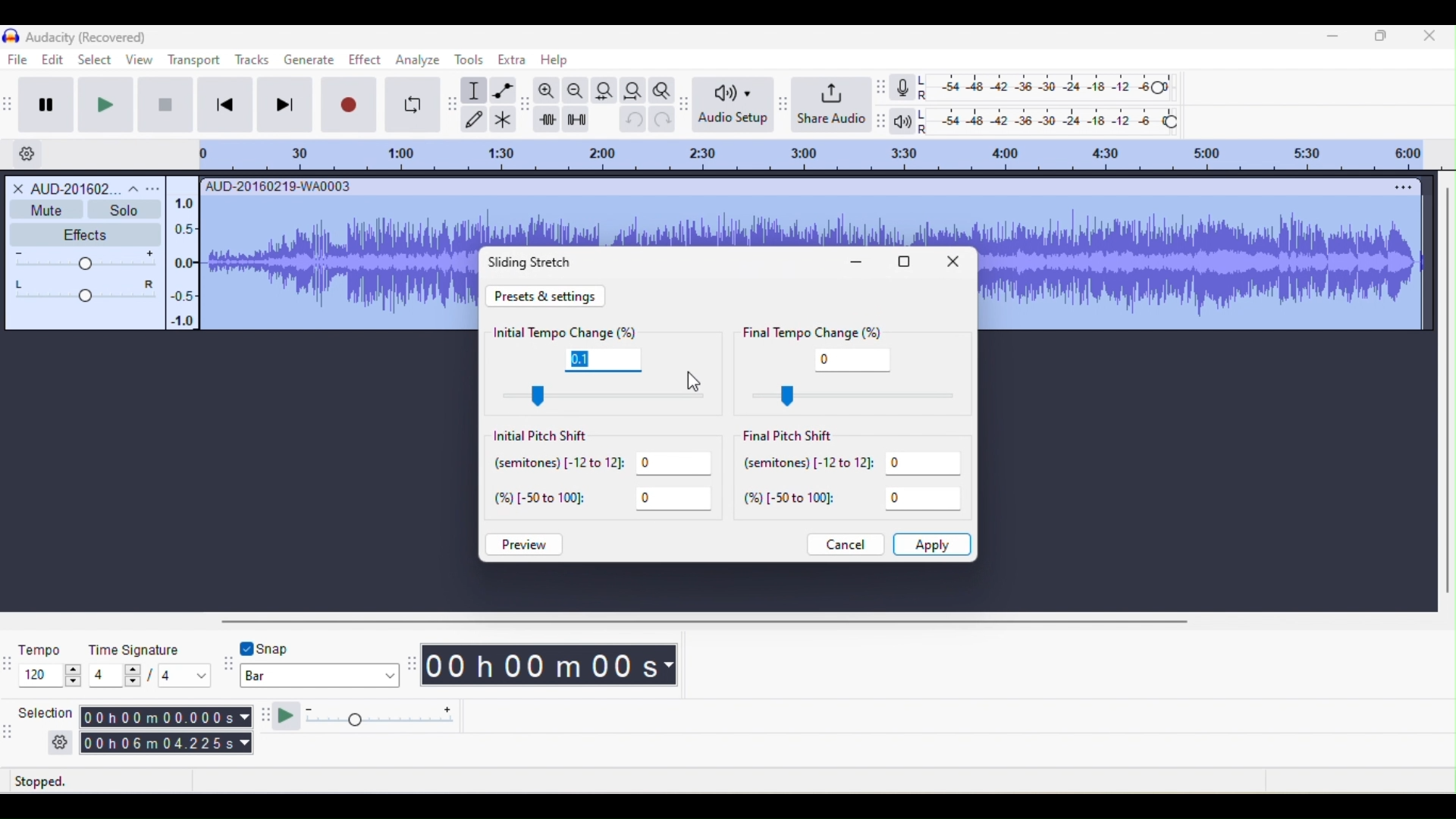  What do you see at coordinates (49, 60) in the screenshot?
I see `edit` at bounding box center [49, 60].